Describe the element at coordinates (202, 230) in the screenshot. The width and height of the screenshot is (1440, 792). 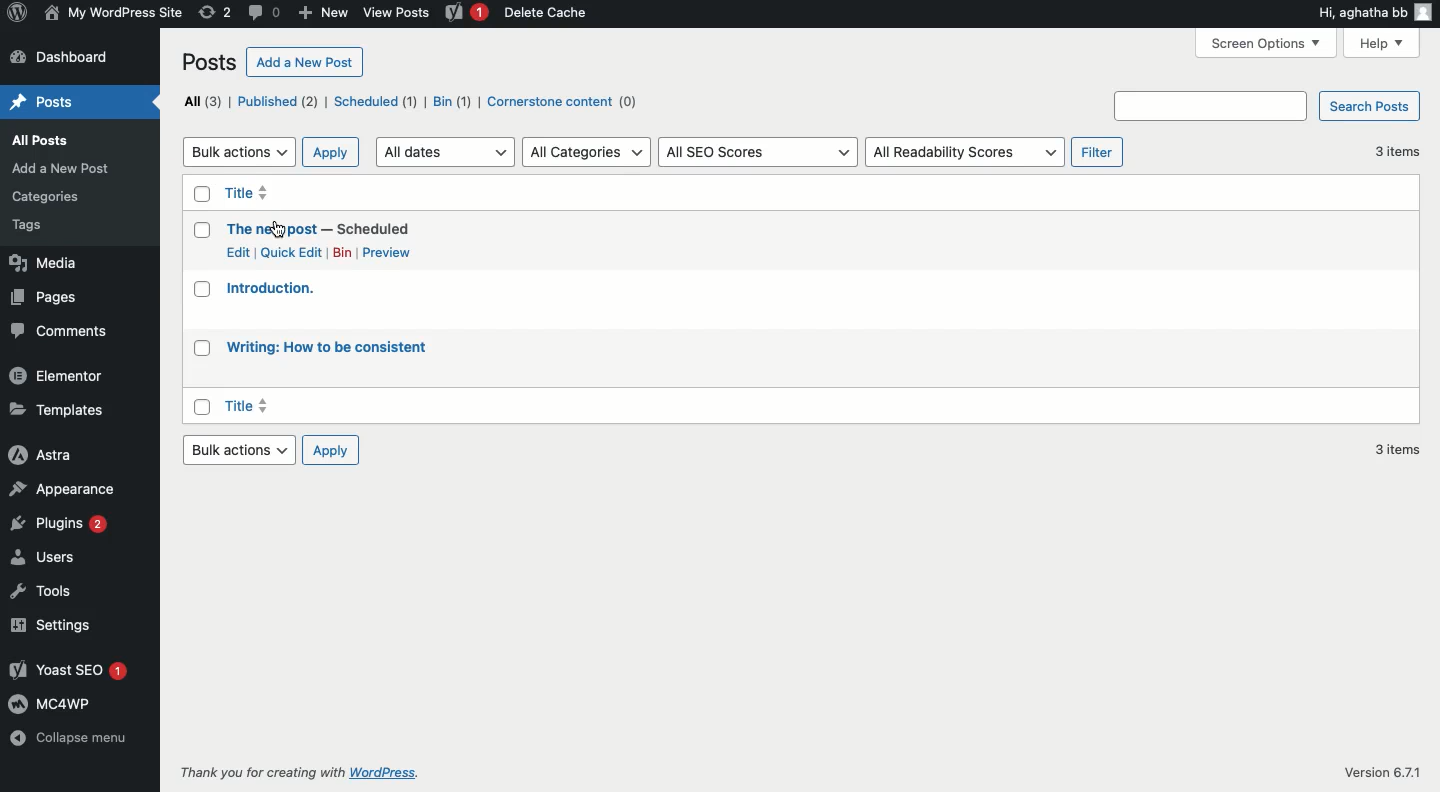
I see `checkbox` at that location.